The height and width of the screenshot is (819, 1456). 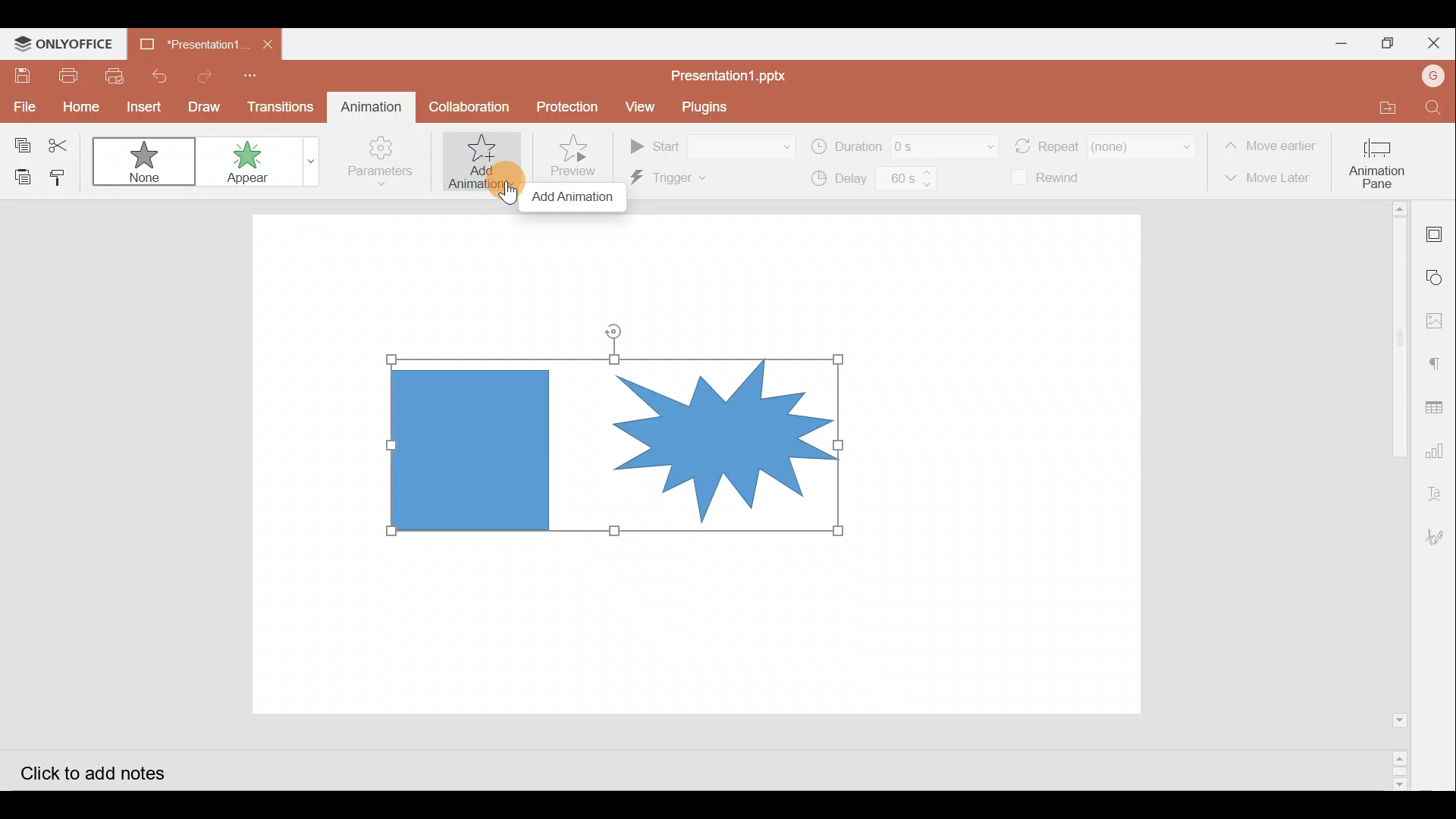 What do you see at coordinates (704, 106) in the screenshot?
I see `Plugins` at bounding box center [704, 106].